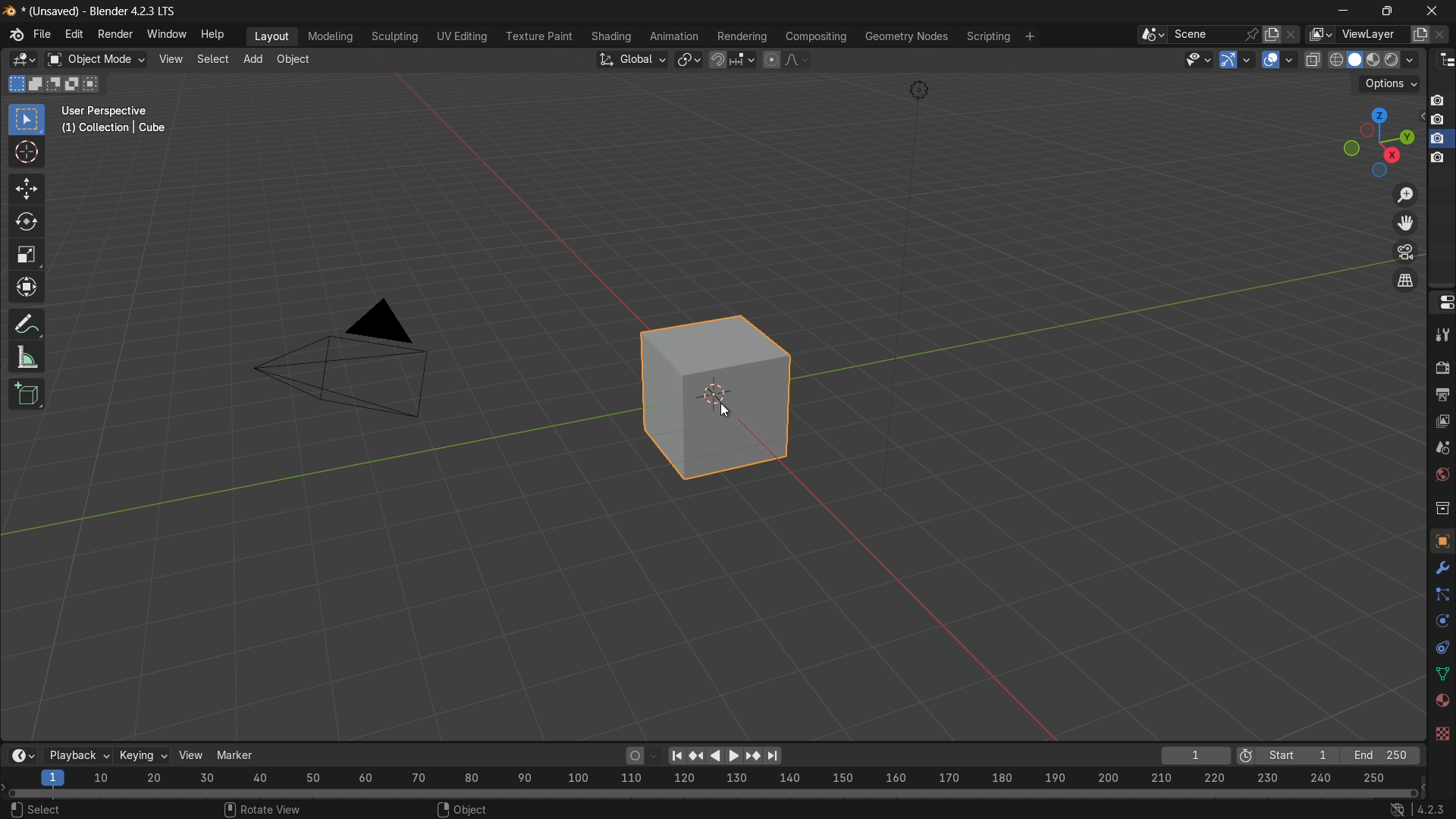 Image resolution: width=1456 pixels, height=819 pixels. Describe the element at coordinates (1249, 59) in the screenshot. I see `gizmos` at that location.